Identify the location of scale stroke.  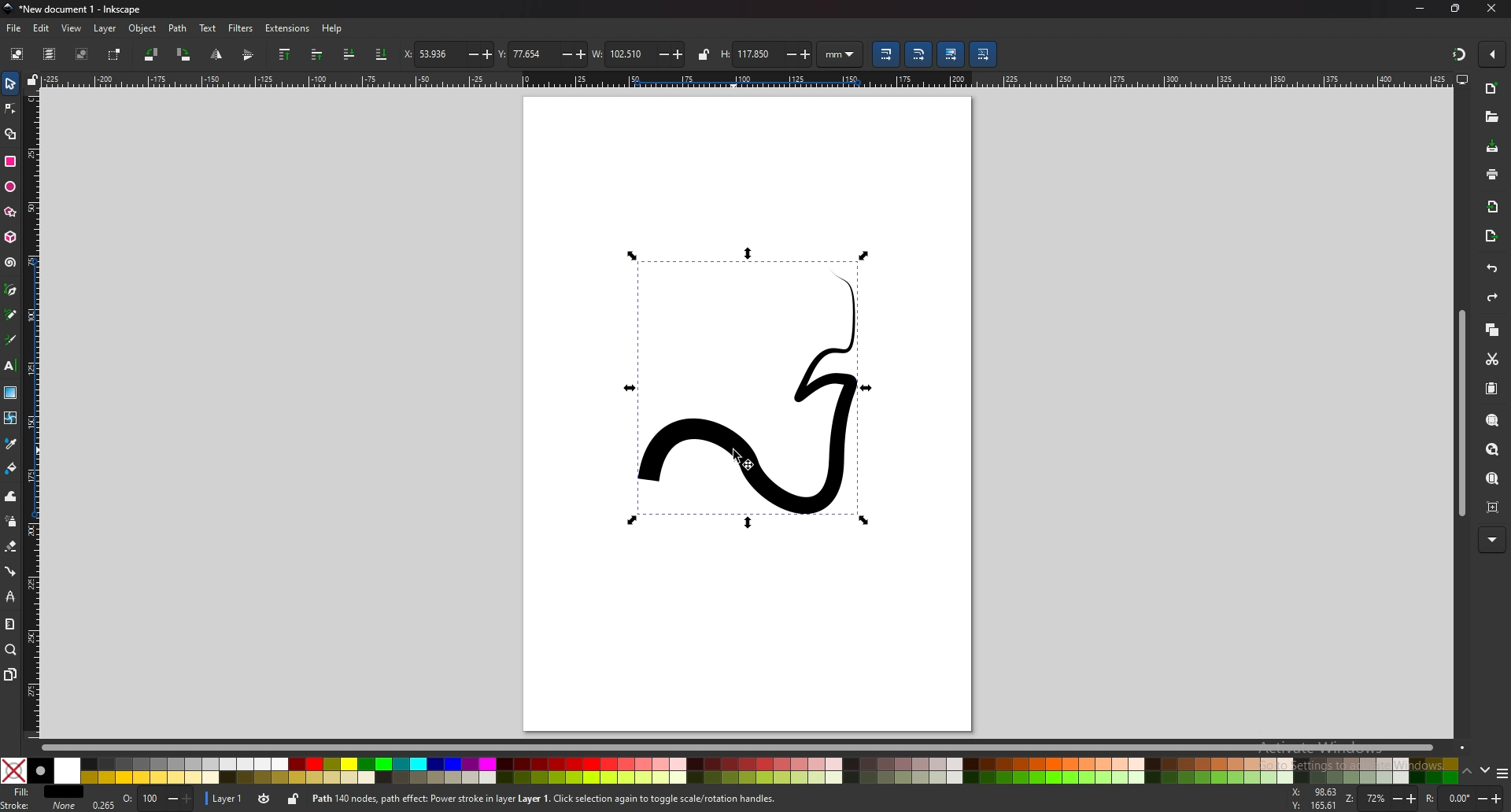
(885, 54).